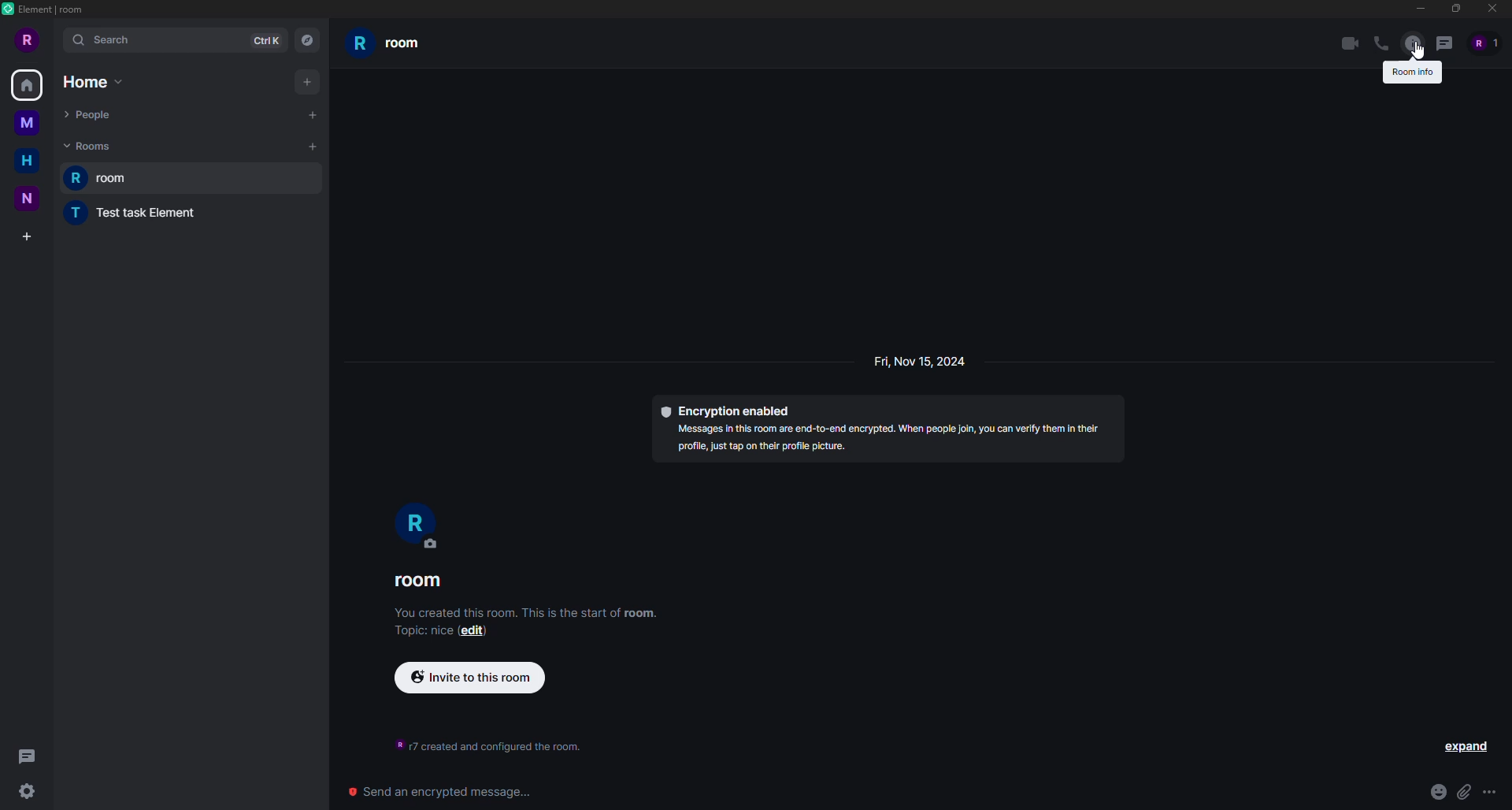 This screenshot has width=1512, height=810. What do you see at coordinates (525, 622) in the screenshot?
I see `text` at bounding box center [525, 622].